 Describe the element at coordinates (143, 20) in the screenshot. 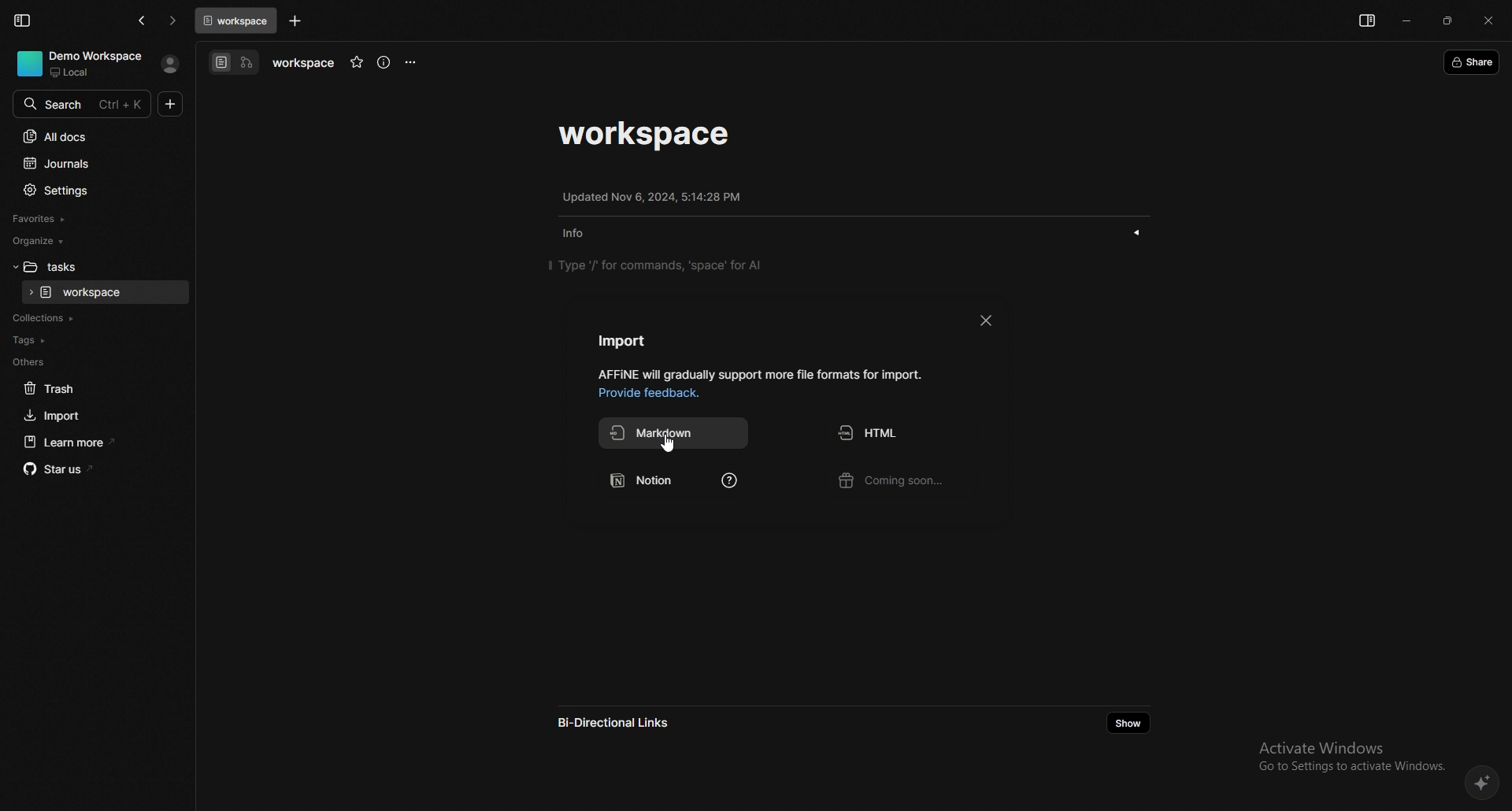

I see `go back` at that location.